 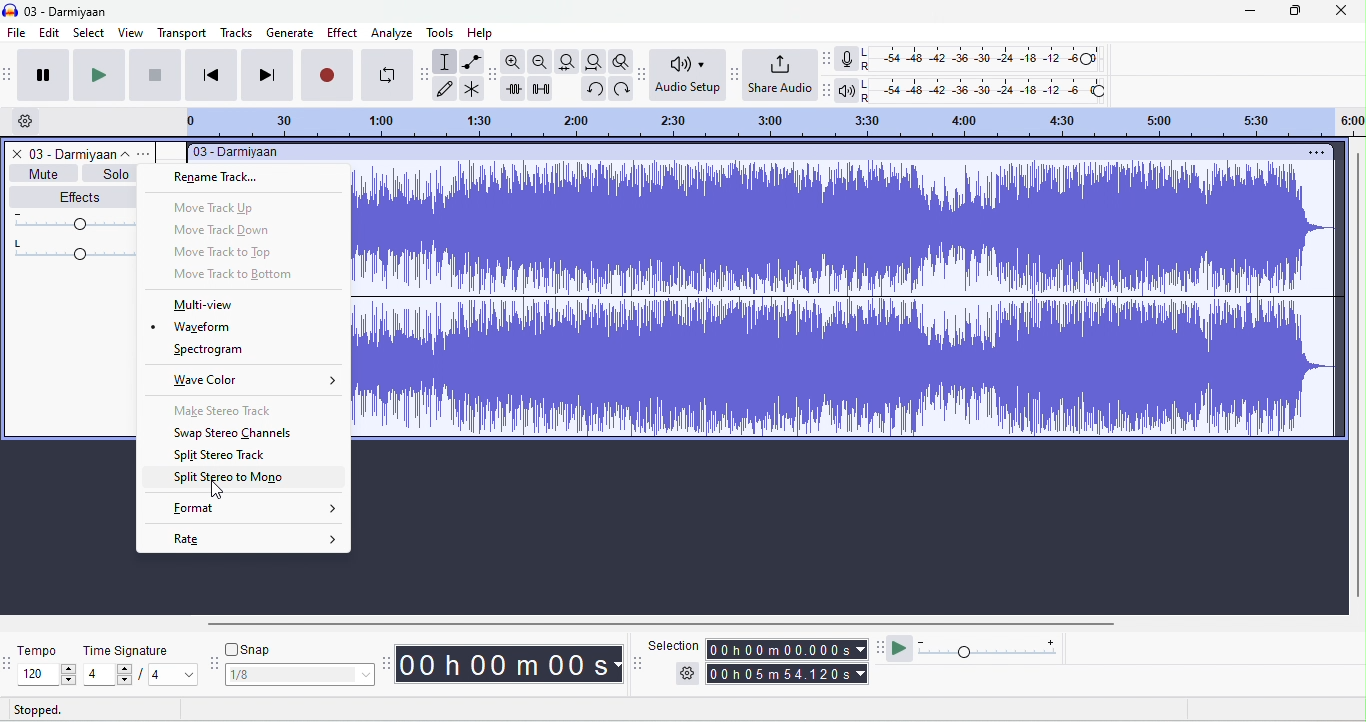 What do you see at coordinates (541, 88) in the screenshot?
I see `silence selection` at bounding box center [541, 88].